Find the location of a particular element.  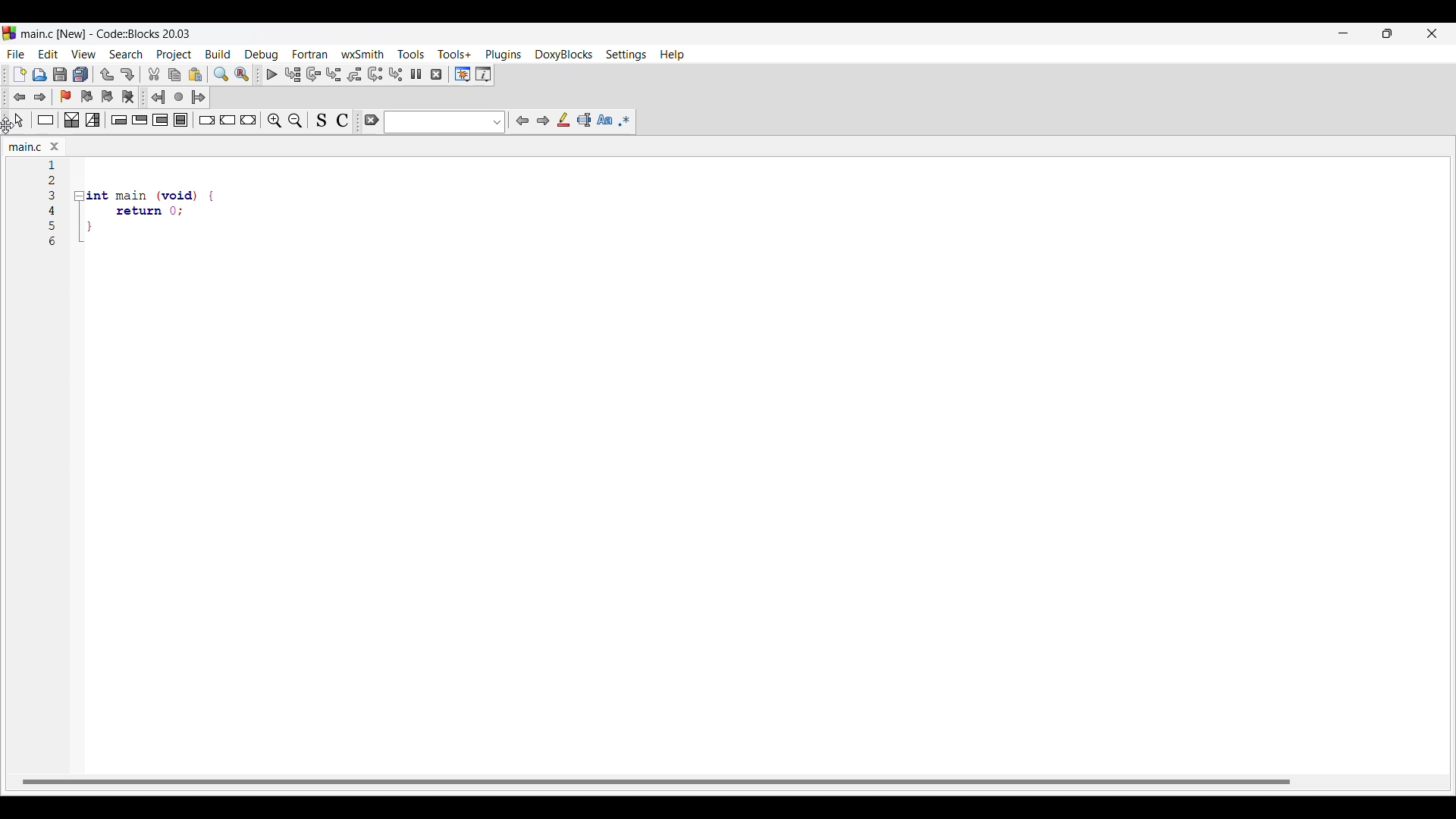

Counting loop is located at coordinates (160, 119).